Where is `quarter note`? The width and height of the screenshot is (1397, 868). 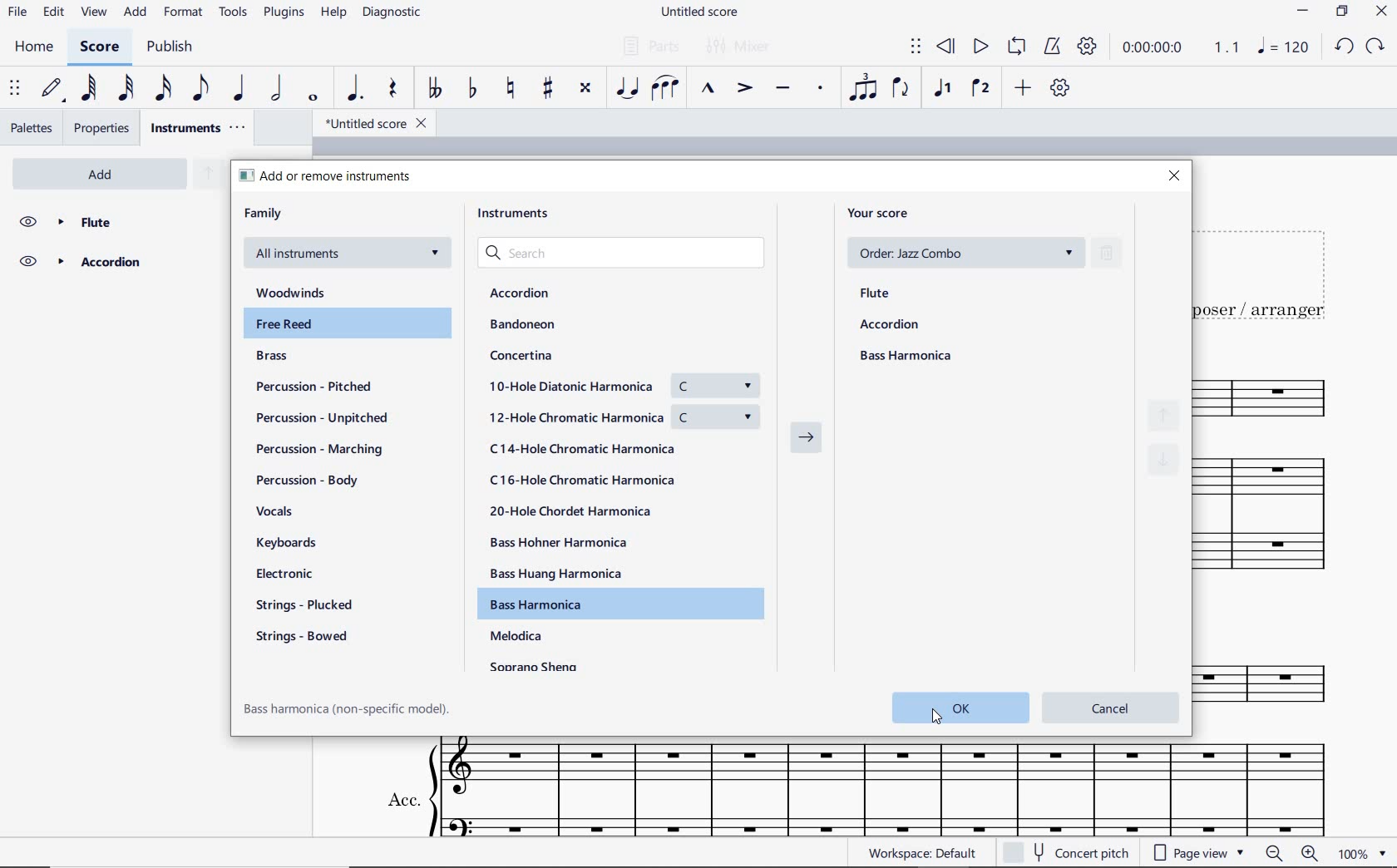 quarter note is located at coordinates (240, 88).